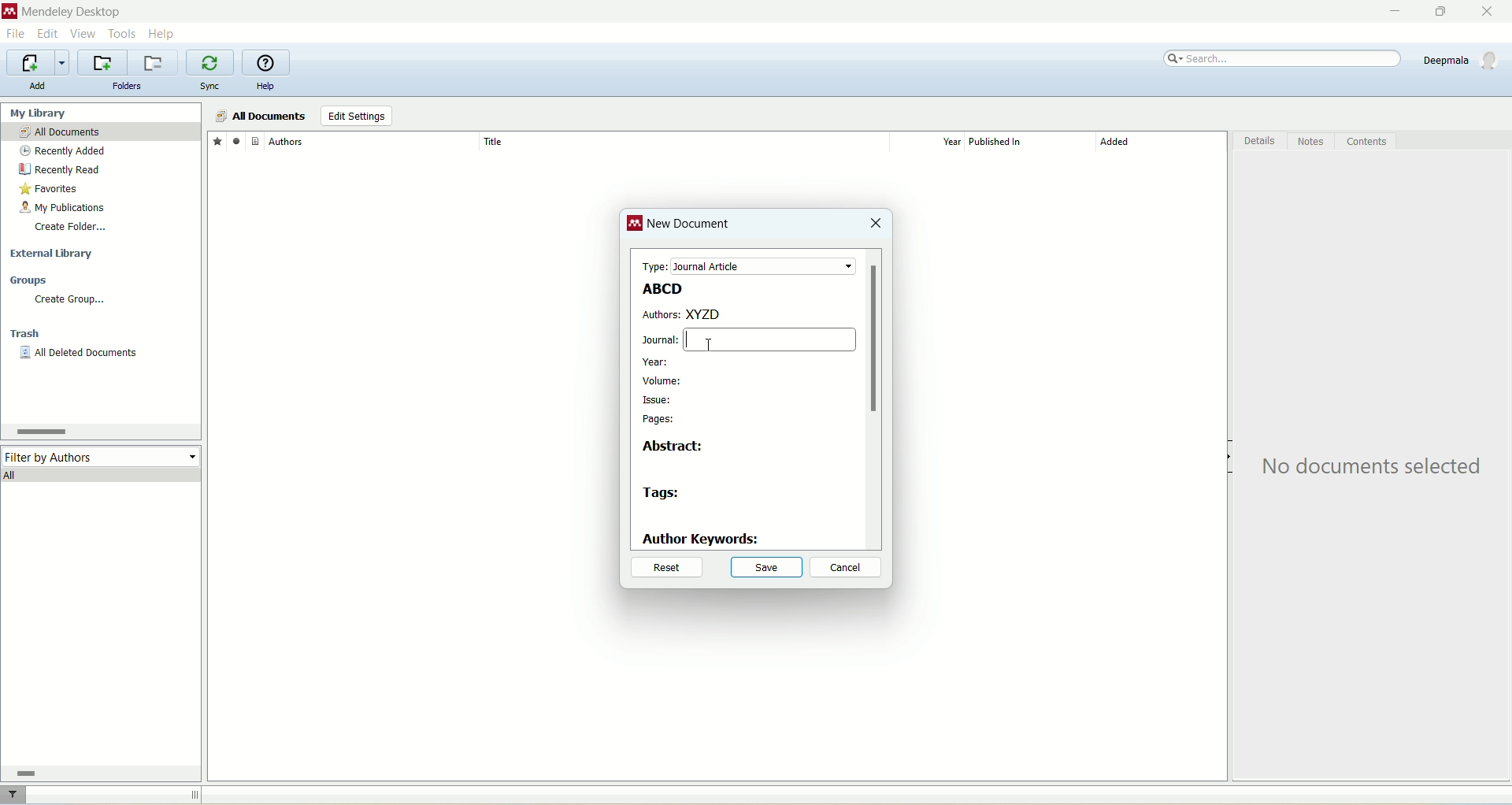 The width and height of the screenshot is (1512, 805). Describe the element at coordinates (98, 773) in the screenshot. I see `horizontal scroll bar` at that location.